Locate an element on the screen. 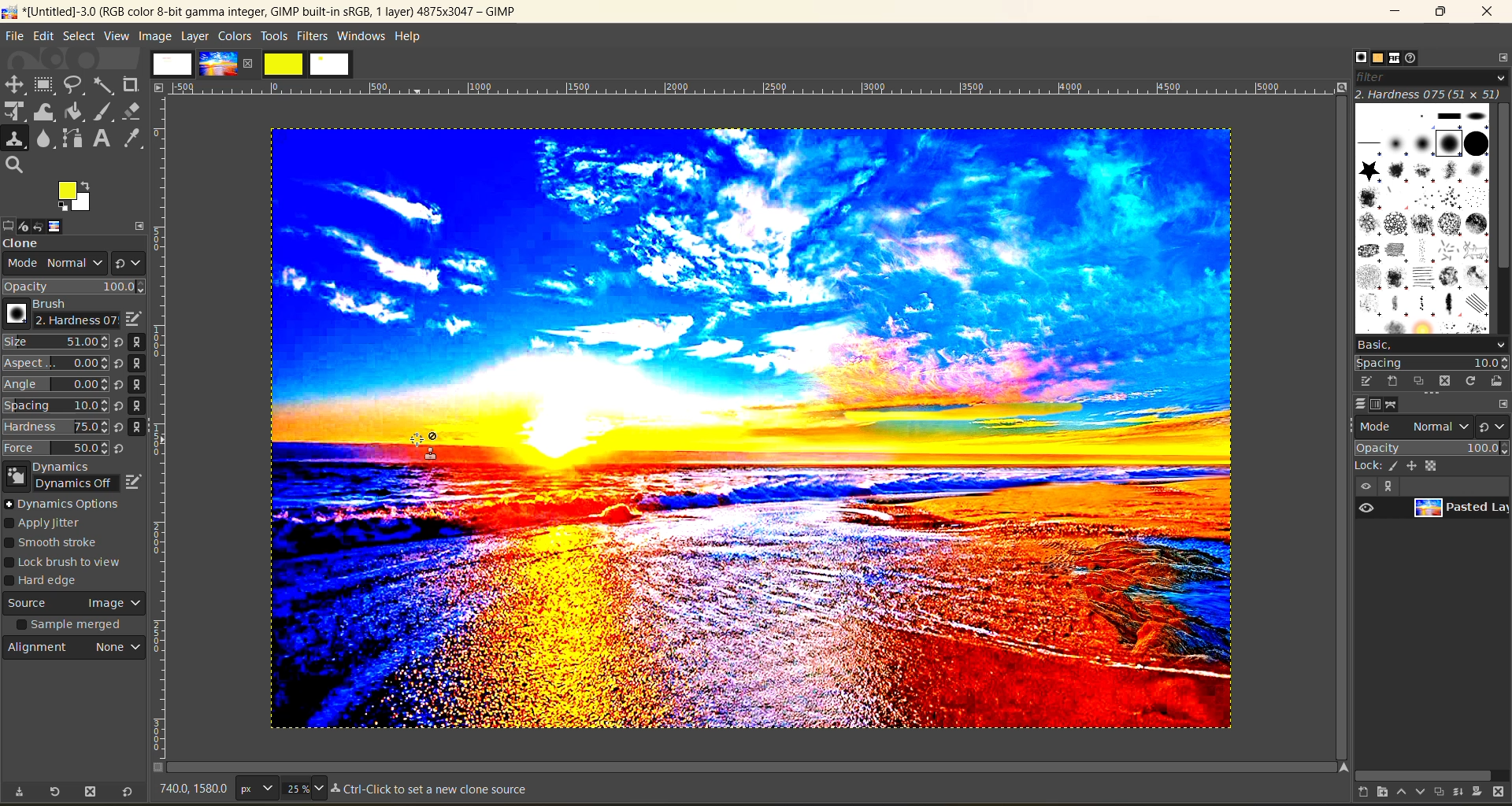 Image resolution: width=1512 pixels, height=806 pixels. images is located at coordinates (172, 64).